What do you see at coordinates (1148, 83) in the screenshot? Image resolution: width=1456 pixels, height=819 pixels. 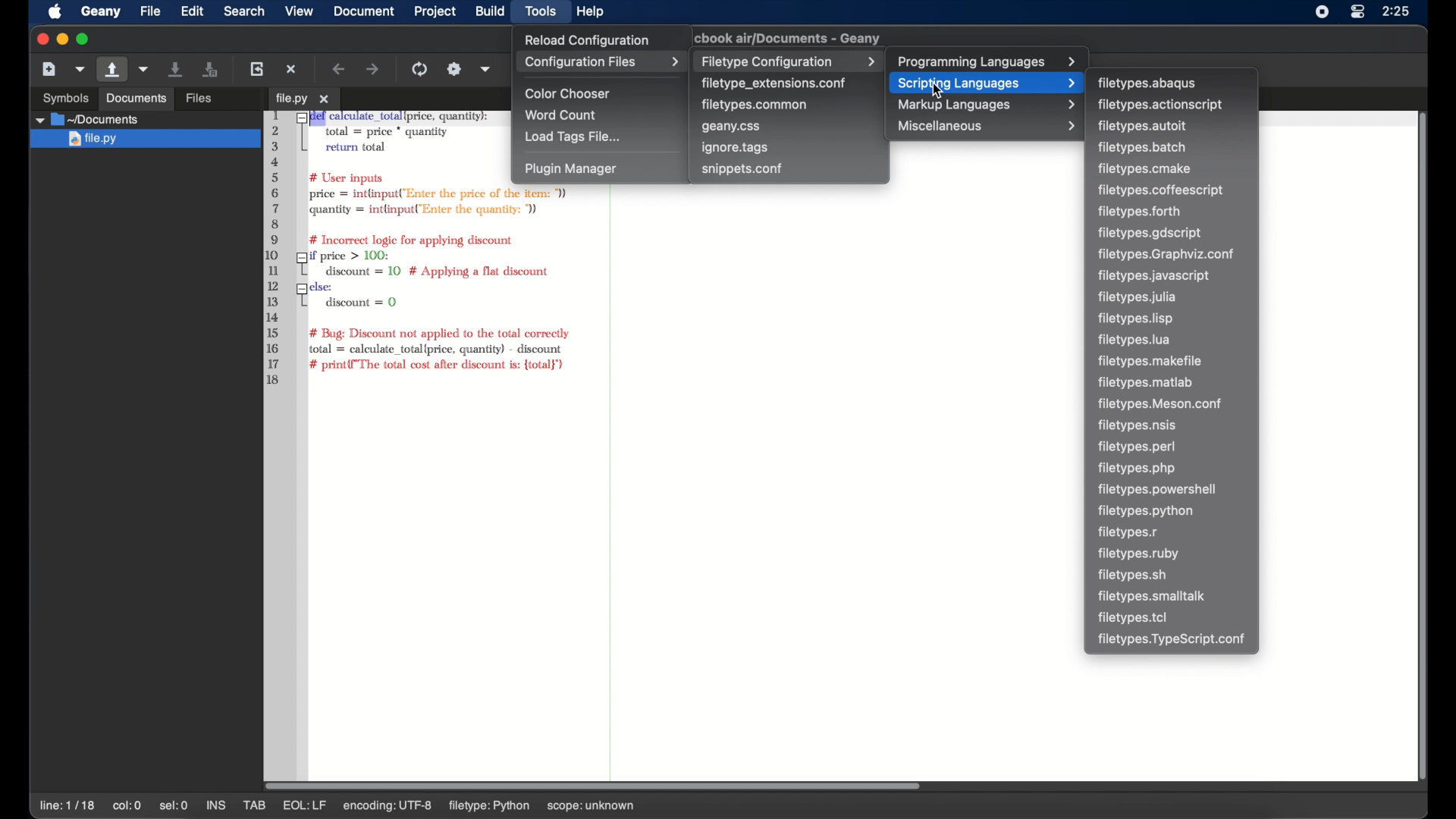 I see `filetype` at bounding box center [1148, 83].